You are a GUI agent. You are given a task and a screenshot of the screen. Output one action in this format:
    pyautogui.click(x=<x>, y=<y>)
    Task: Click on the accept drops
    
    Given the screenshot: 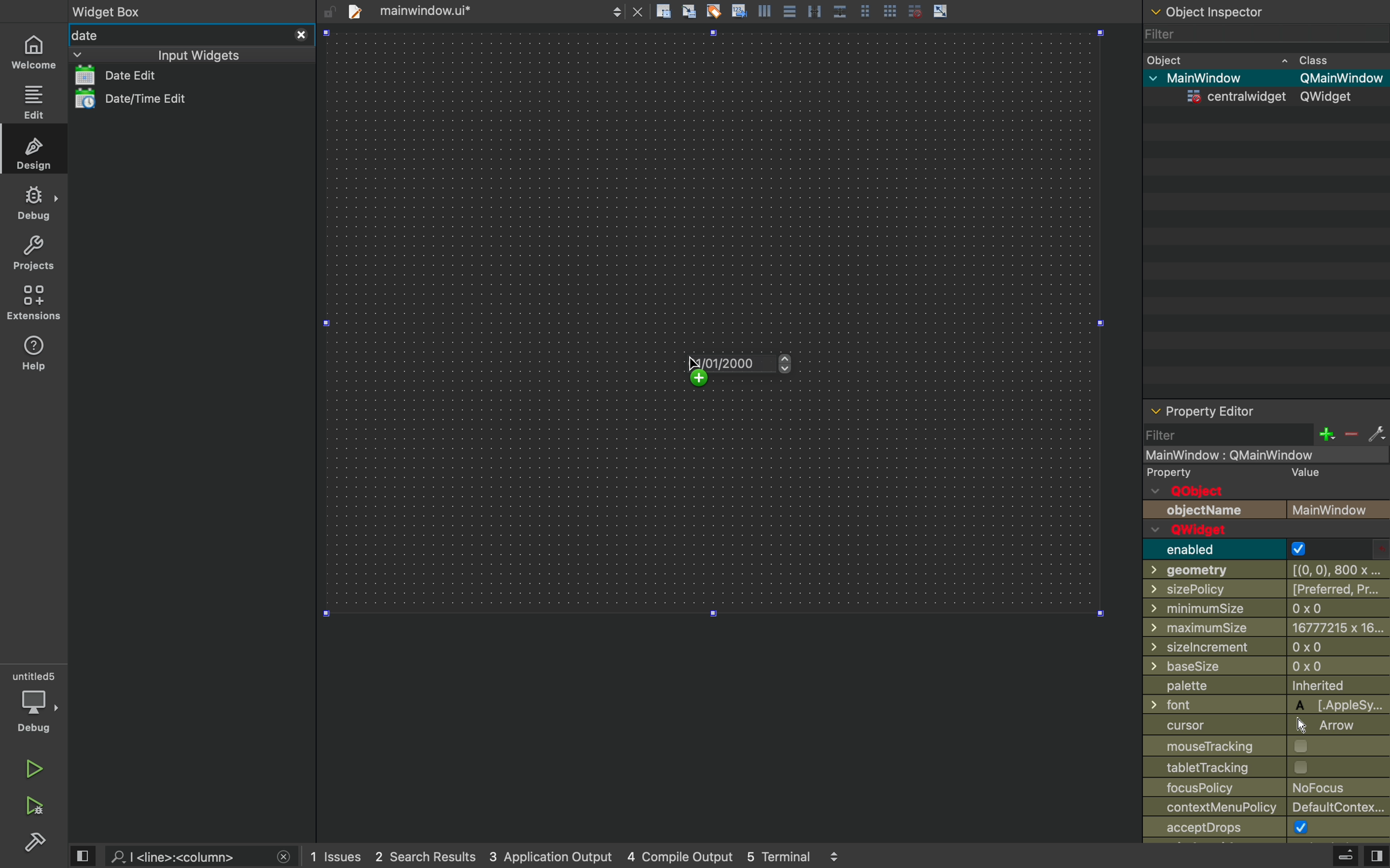 What is the action you would take?
    pyautogui.click(x=1260, y=828)
    